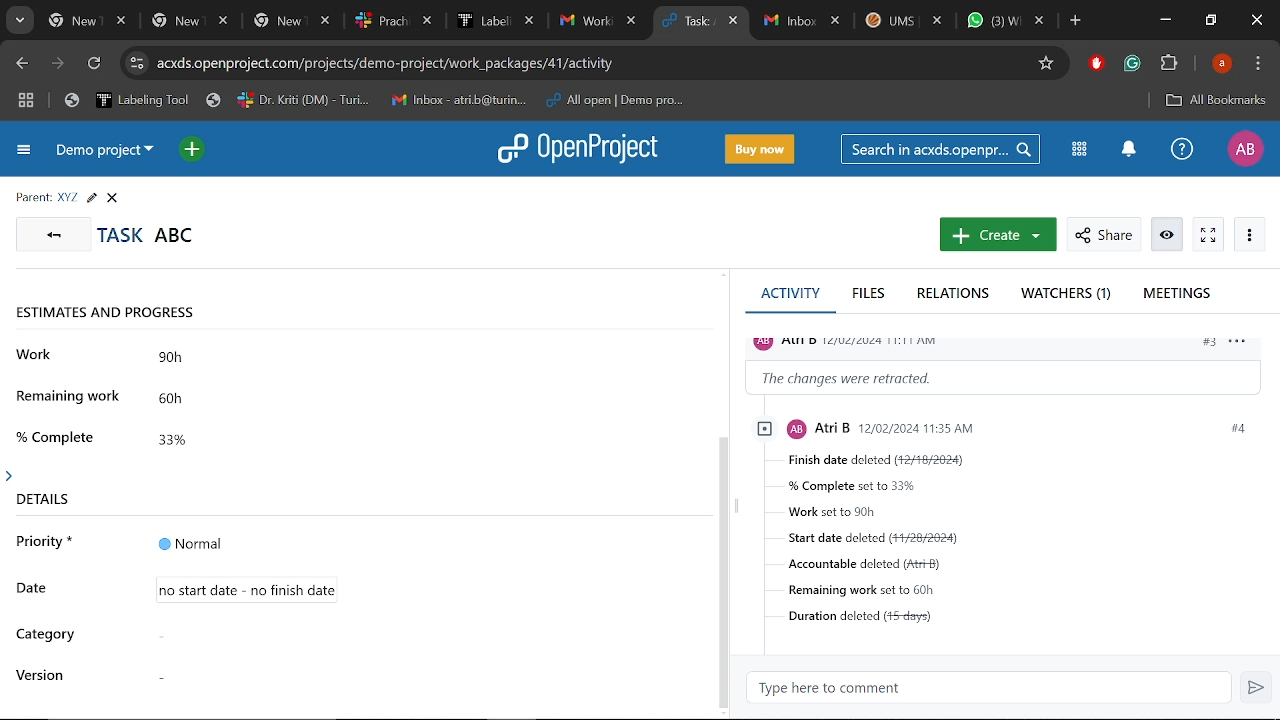 The width and height of the screenshot is (1280, 720). Describe the element at coordinates (1260, 64) in the screenshot. I see `Control and customize chrome` at that location.